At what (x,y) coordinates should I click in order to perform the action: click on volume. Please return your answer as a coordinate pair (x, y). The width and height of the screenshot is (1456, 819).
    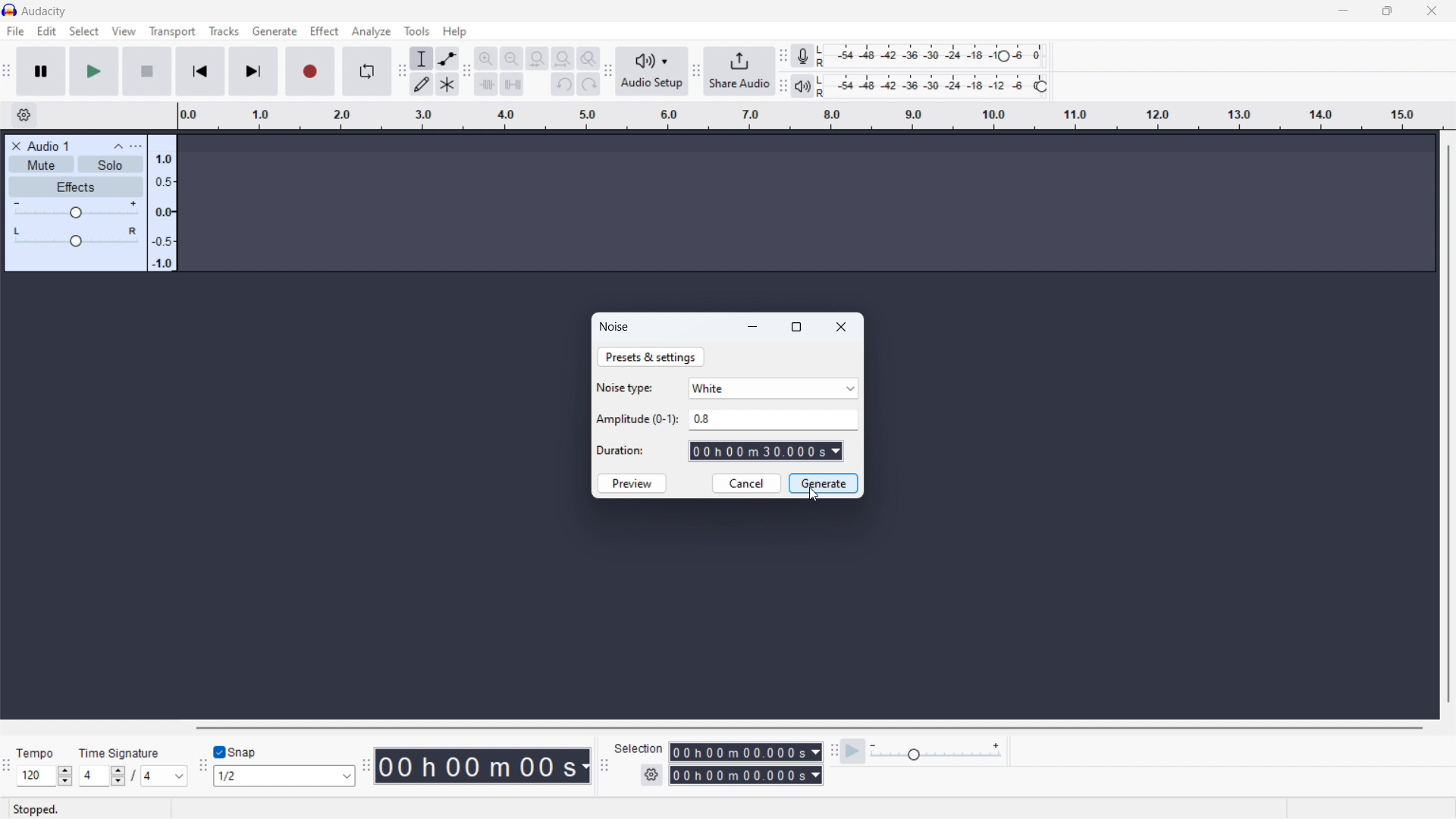
    Looking at the image, I should click on (74, 209).